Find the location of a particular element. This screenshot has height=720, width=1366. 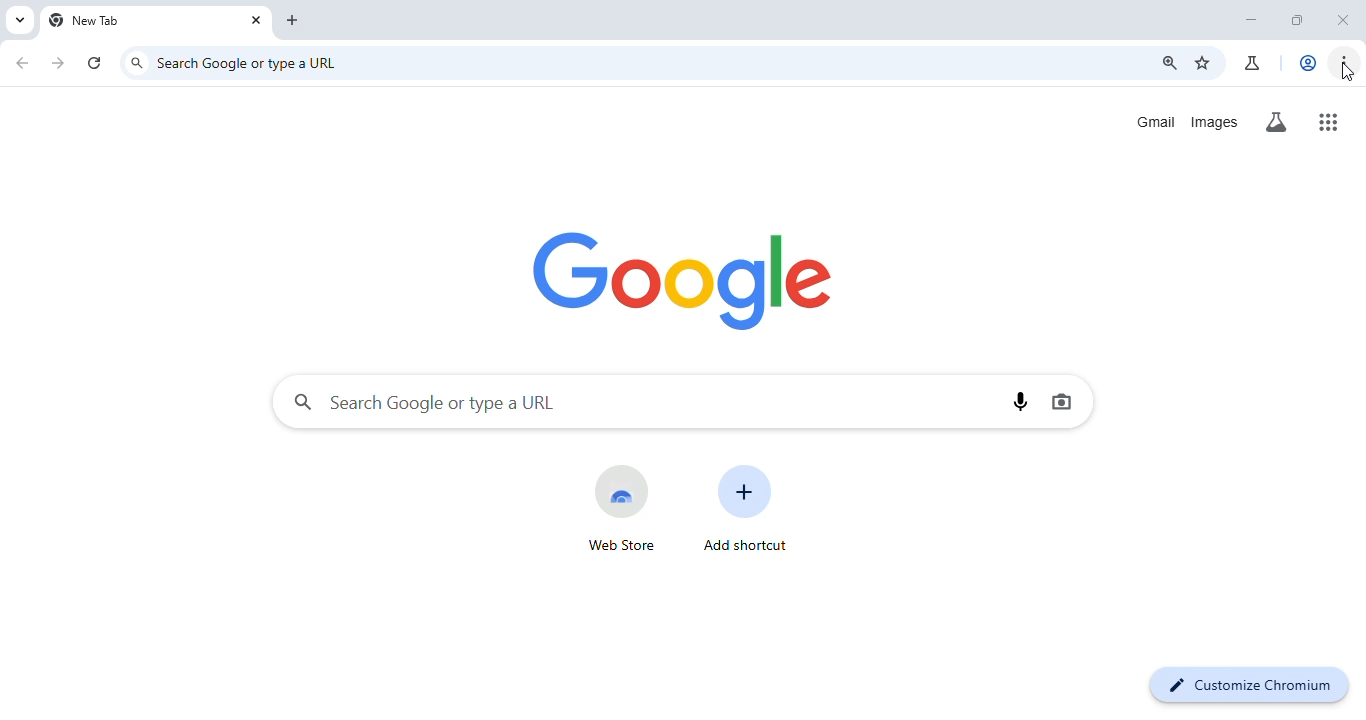

google logo is located at coordinates (686, 278).